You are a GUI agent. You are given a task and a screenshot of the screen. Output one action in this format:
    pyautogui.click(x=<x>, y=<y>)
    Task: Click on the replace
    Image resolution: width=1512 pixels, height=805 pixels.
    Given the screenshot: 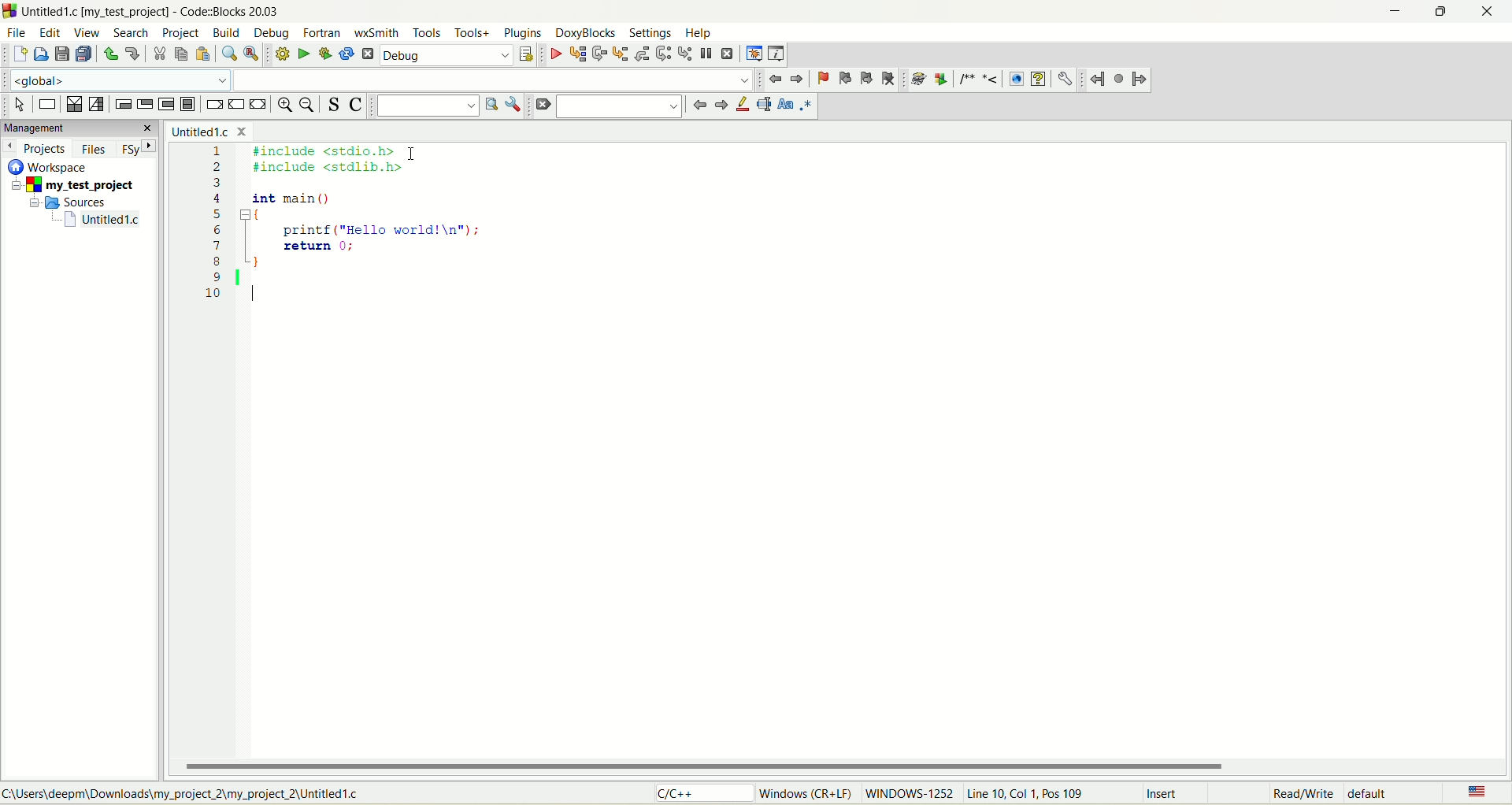 What is the action you would take?
    pyautogui.click(x=250, y=54)
    